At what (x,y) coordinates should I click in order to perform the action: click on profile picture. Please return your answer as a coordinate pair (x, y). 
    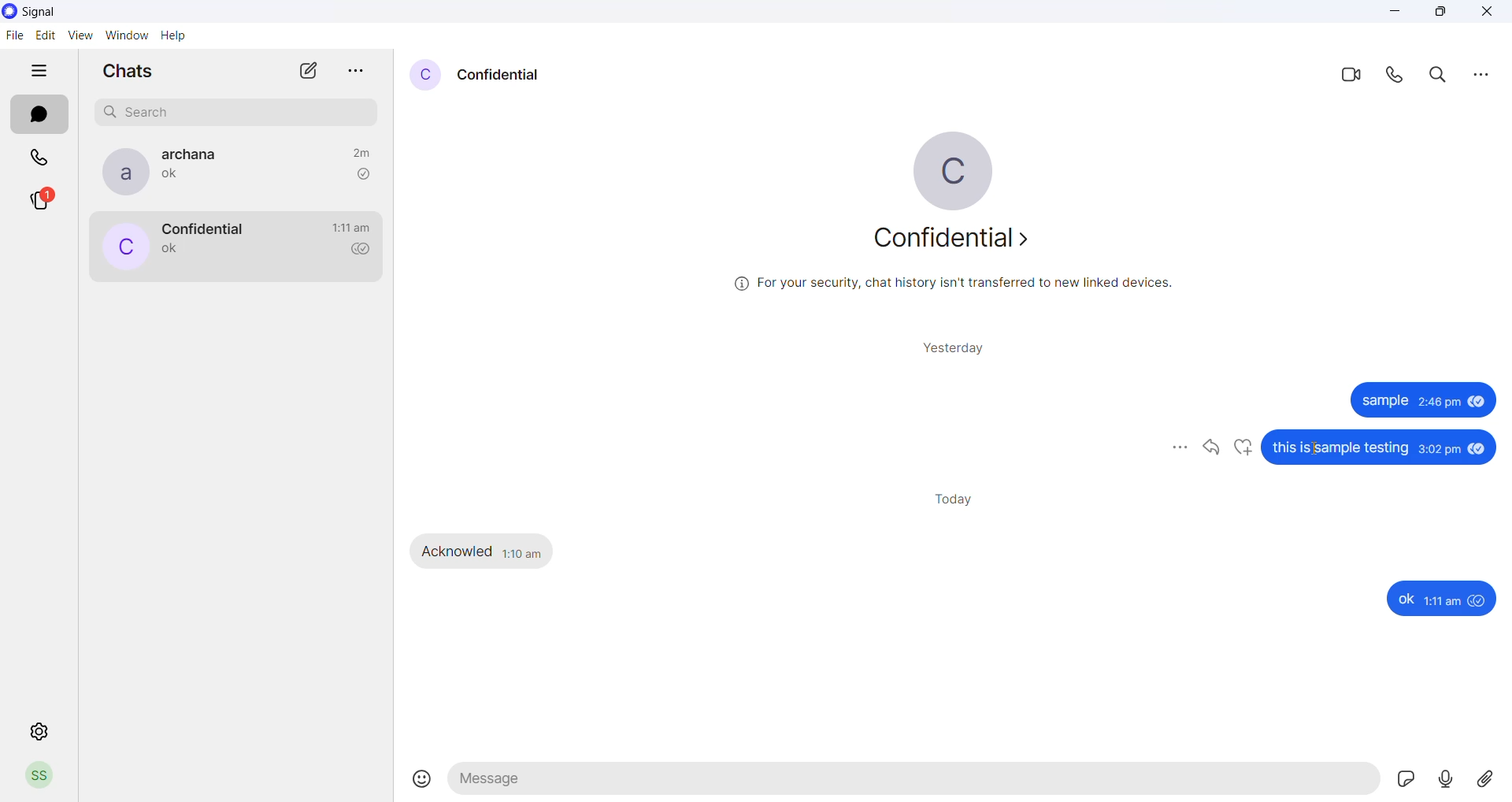
    Looking at the image, I should click on (124, 248).